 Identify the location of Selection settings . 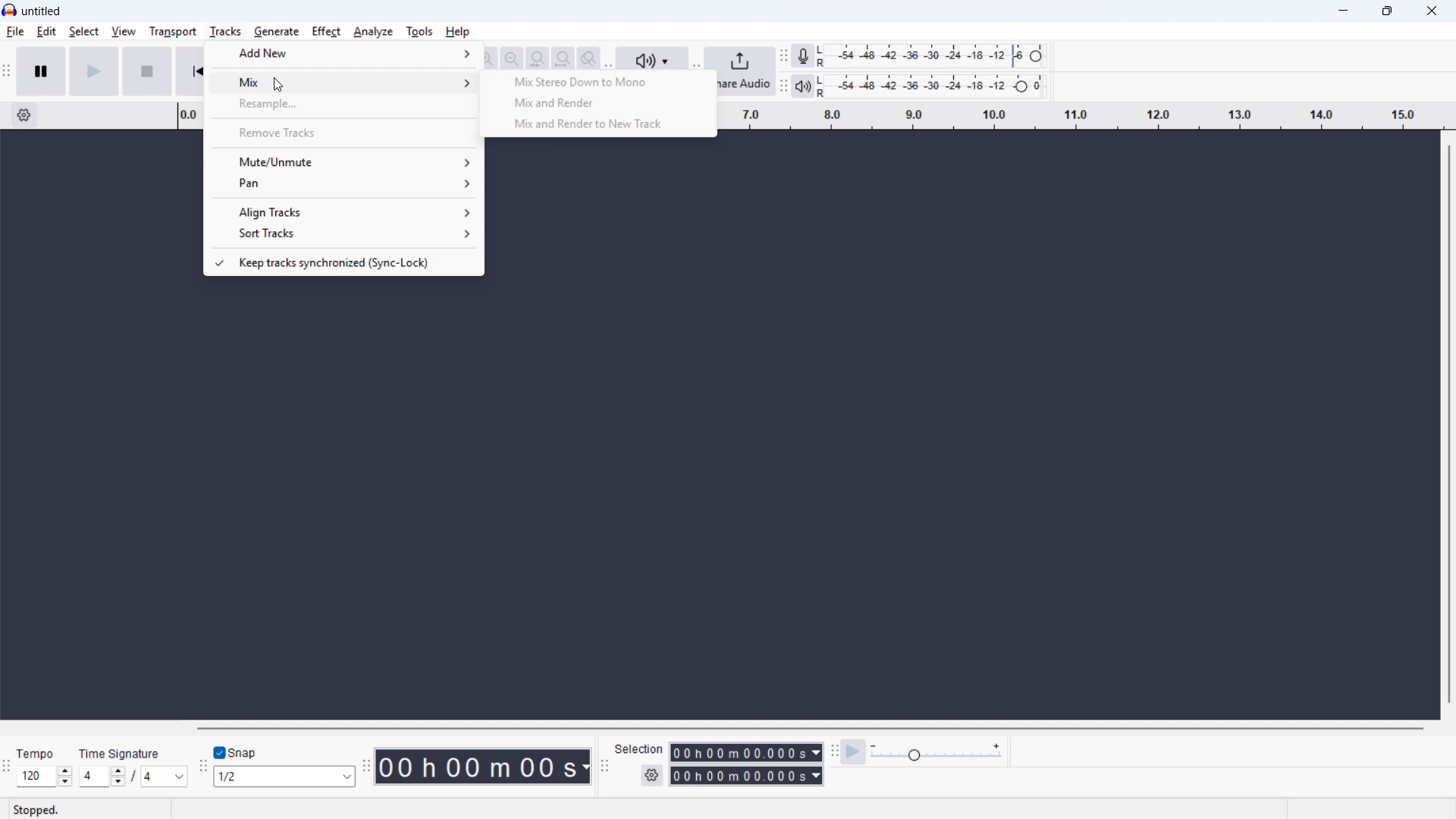
(652, 776).